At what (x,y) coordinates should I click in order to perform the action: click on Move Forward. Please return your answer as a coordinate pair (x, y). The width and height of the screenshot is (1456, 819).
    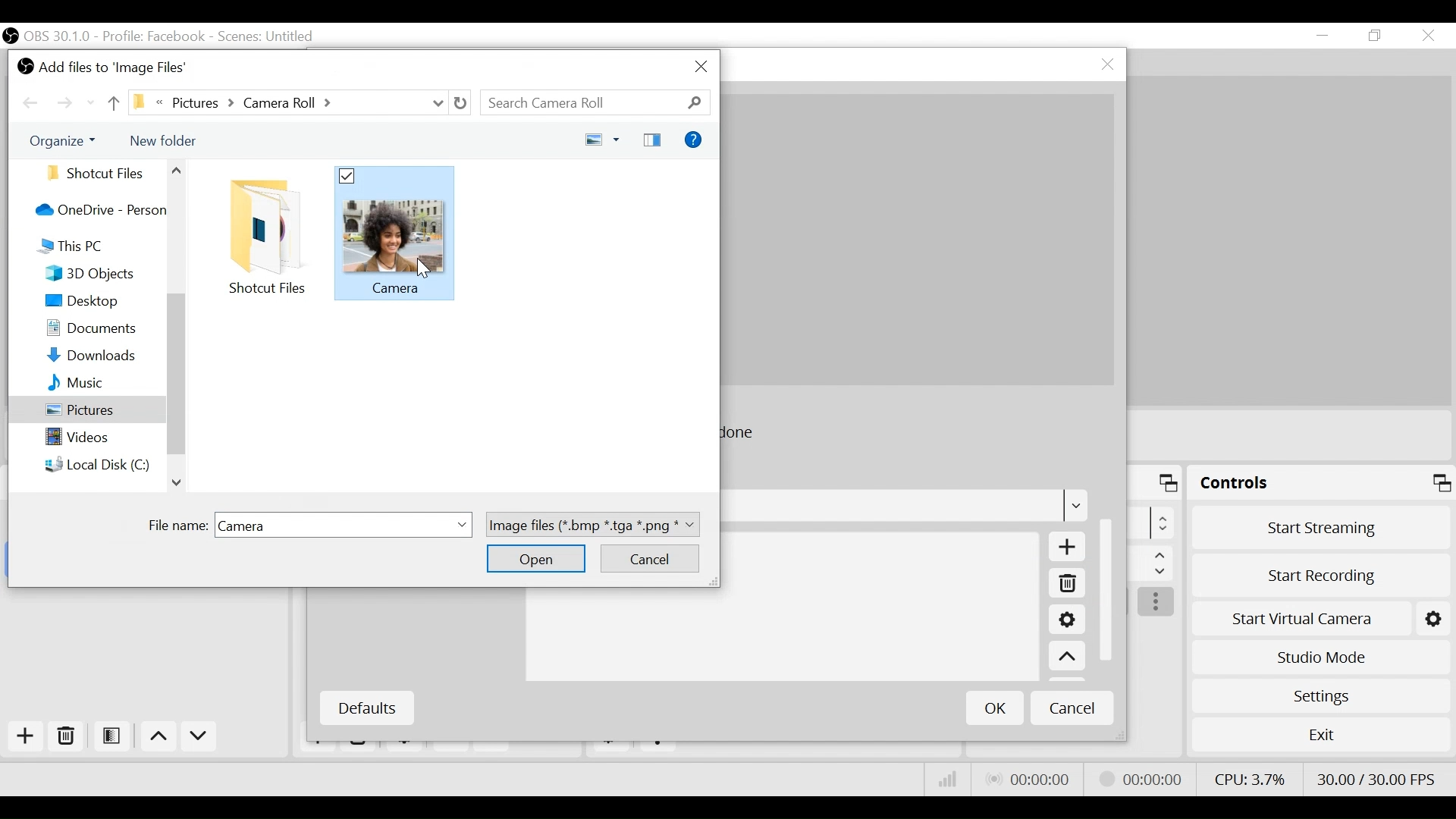
    Looking at the image, I should click on (67, 104).